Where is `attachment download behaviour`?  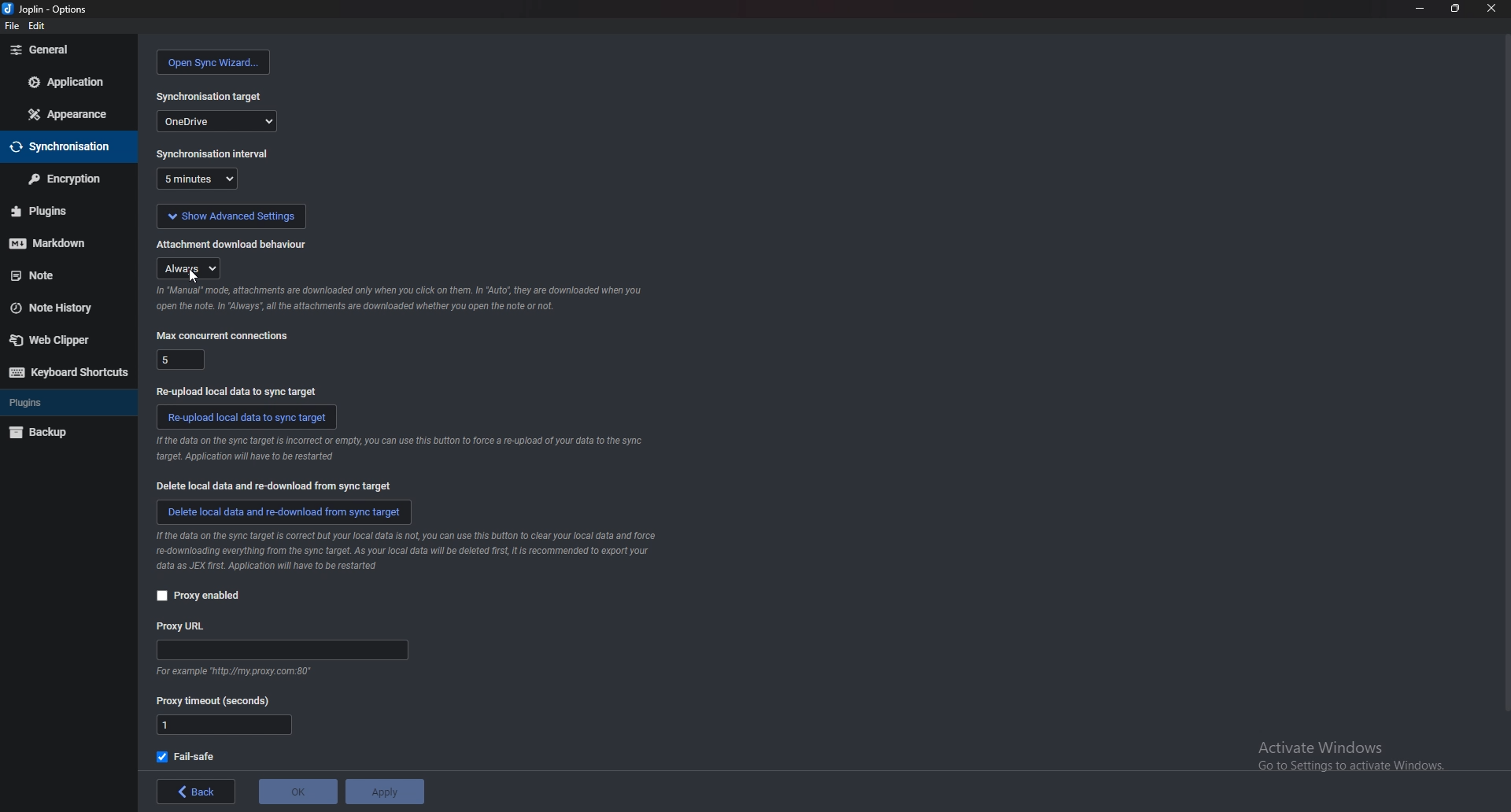 attachment download behaviour is located at coordinates (231, 244).